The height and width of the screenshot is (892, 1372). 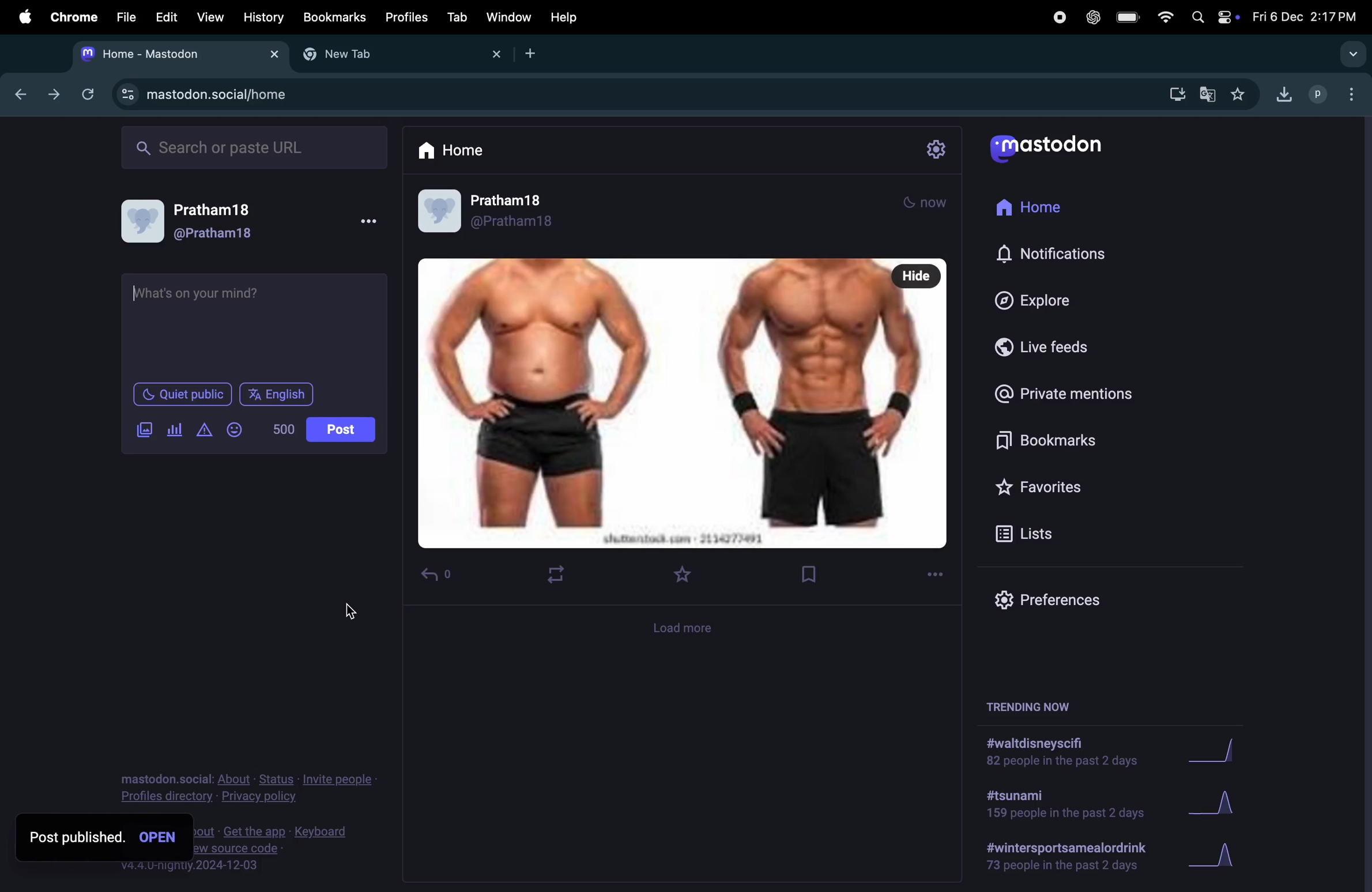 What do you see at coordinates (235, 430) in the screenshot?
I see `Emoji` at bounding box center [235, 430].